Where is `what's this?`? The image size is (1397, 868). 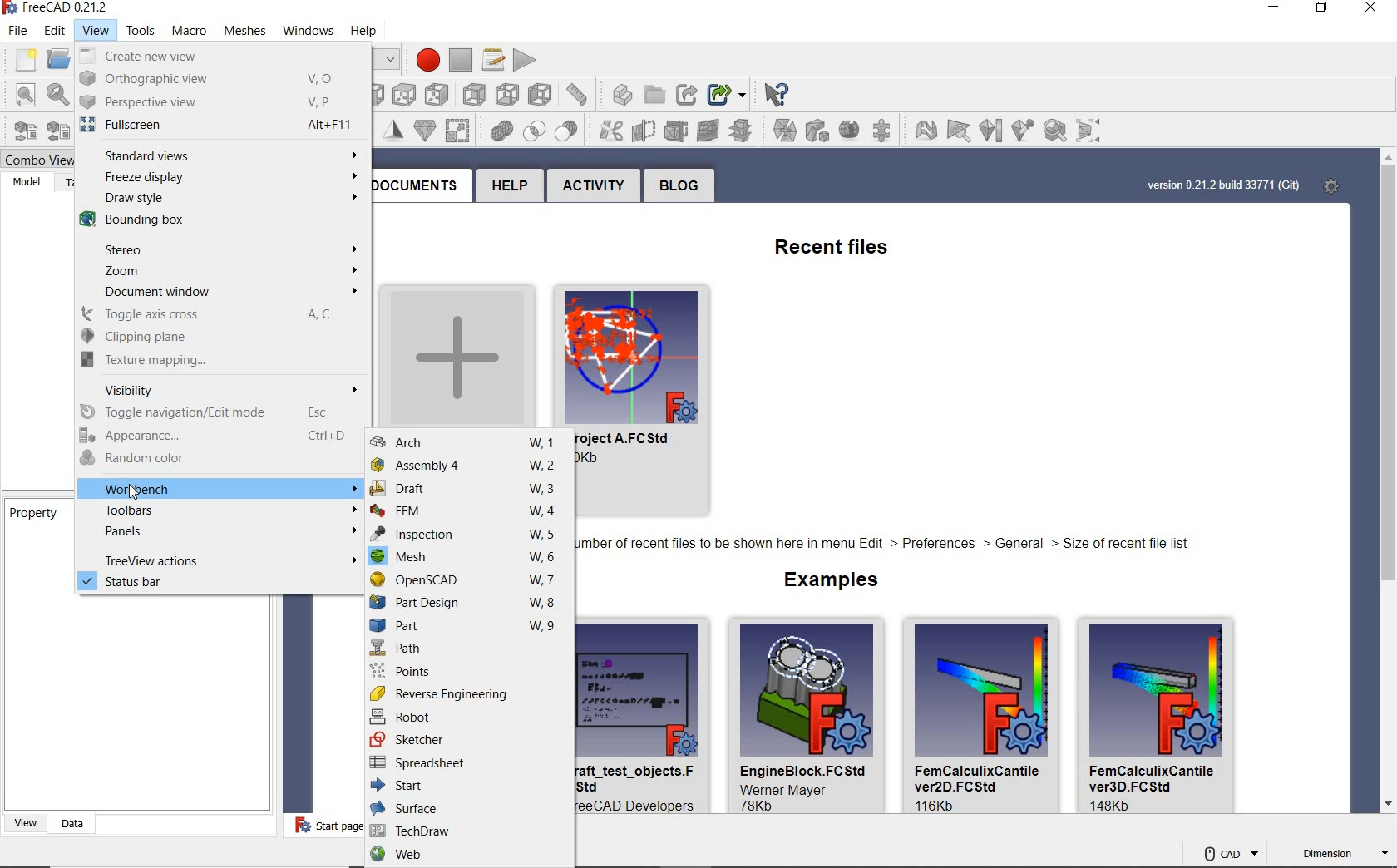
what's this? is located at coordinates (728, 91).